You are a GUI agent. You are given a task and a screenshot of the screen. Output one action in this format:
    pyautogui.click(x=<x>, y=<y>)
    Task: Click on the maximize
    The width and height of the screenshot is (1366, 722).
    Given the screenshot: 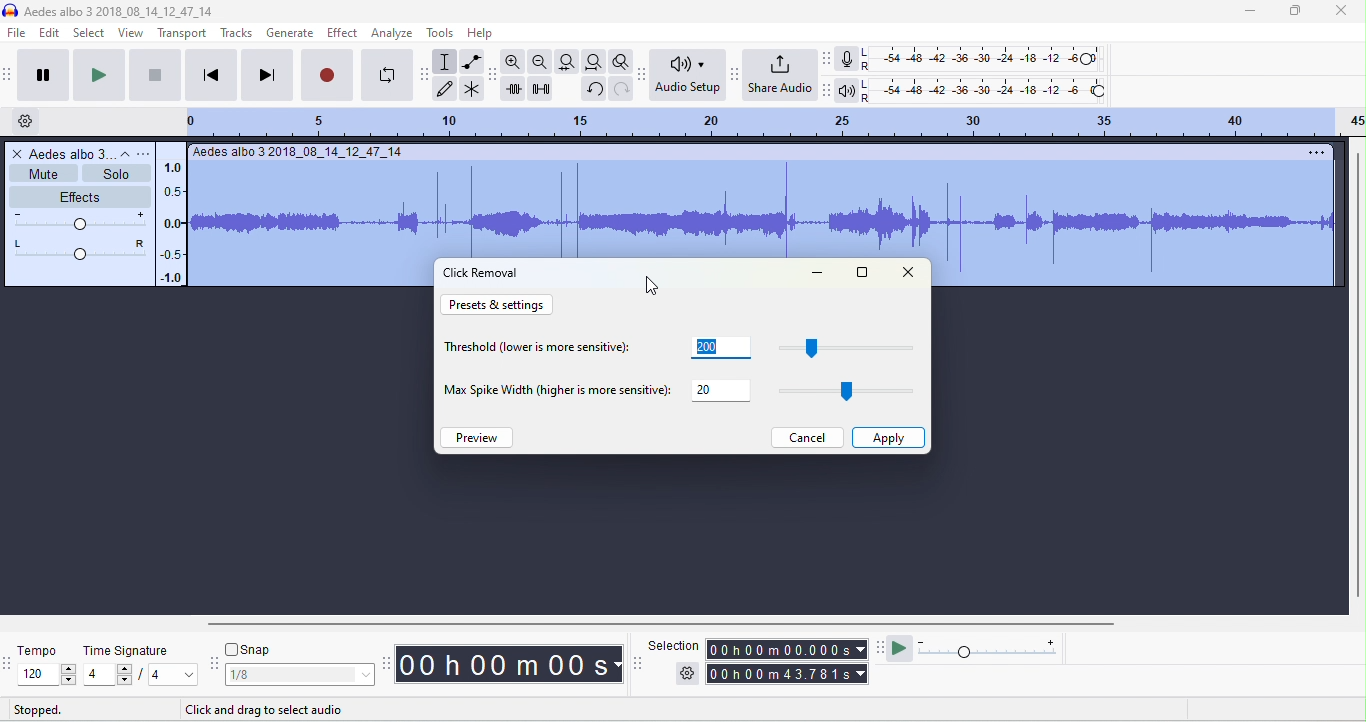 What is the action you would take?
    pyautogui.click(x=1294, y=10)
    